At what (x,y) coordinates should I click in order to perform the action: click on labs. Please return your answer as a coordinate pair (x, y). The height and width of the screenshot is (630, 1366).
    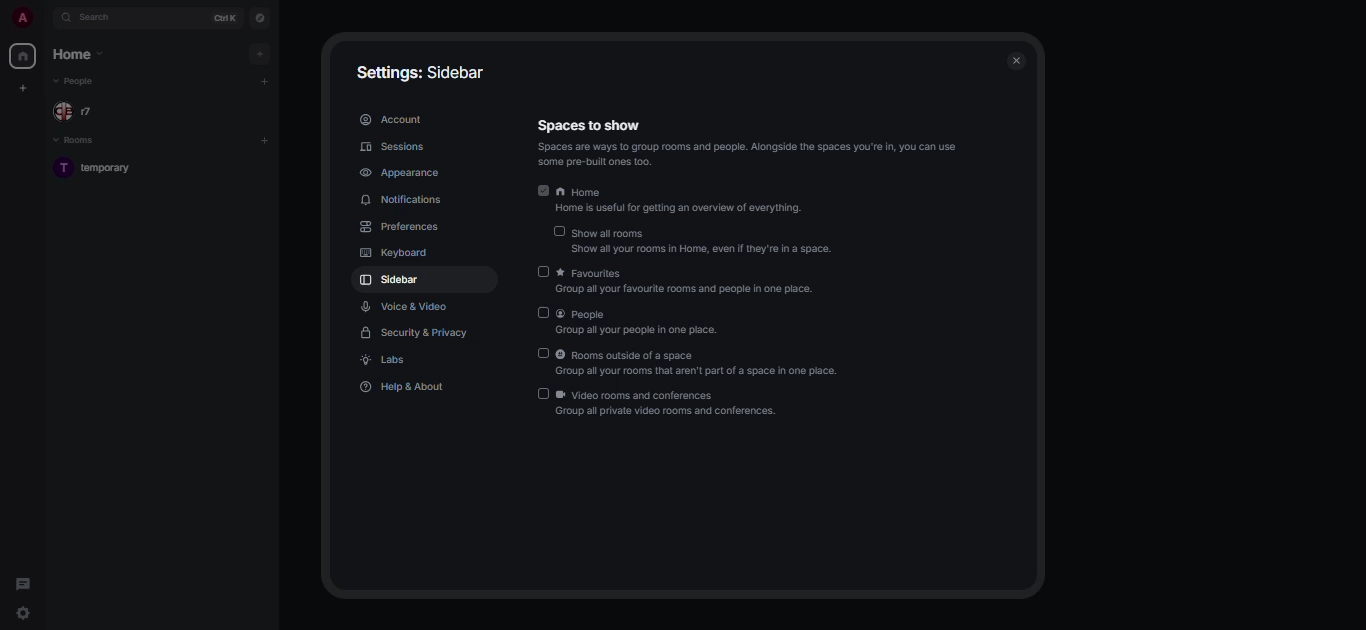
    Looking at the image, I should click on (388, 362).